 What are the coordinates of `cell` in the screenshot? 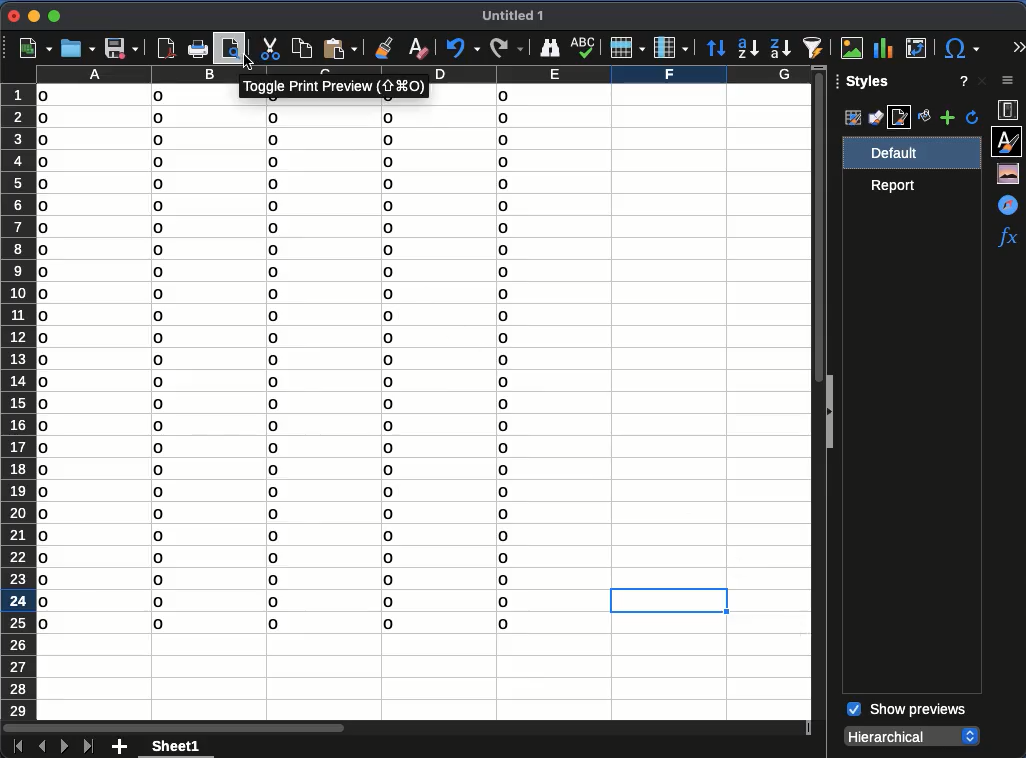 It's located at (666, 602).